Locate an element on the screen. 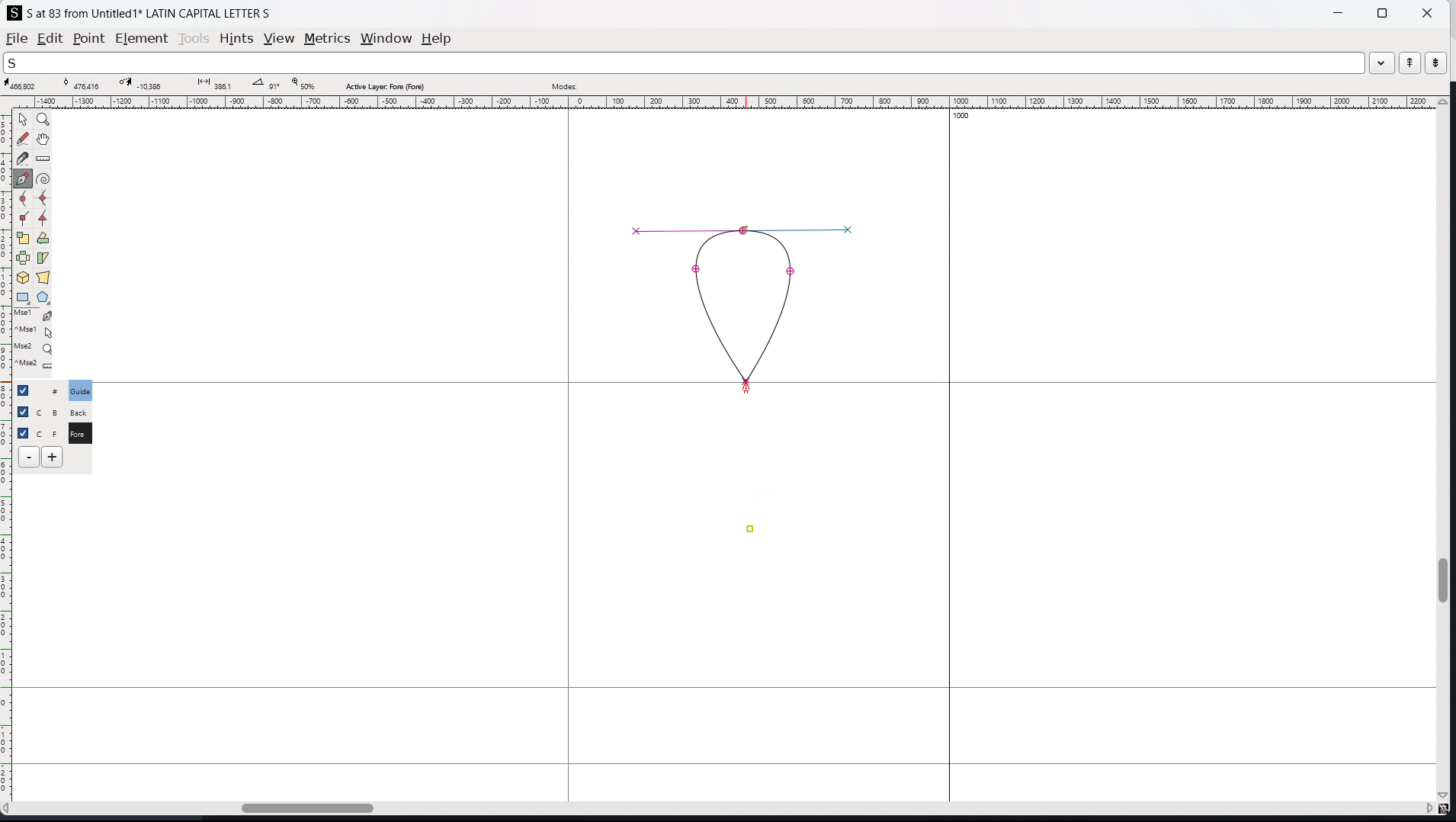 The image size is (1456, 822). tools is located at coordinates (195, 38).